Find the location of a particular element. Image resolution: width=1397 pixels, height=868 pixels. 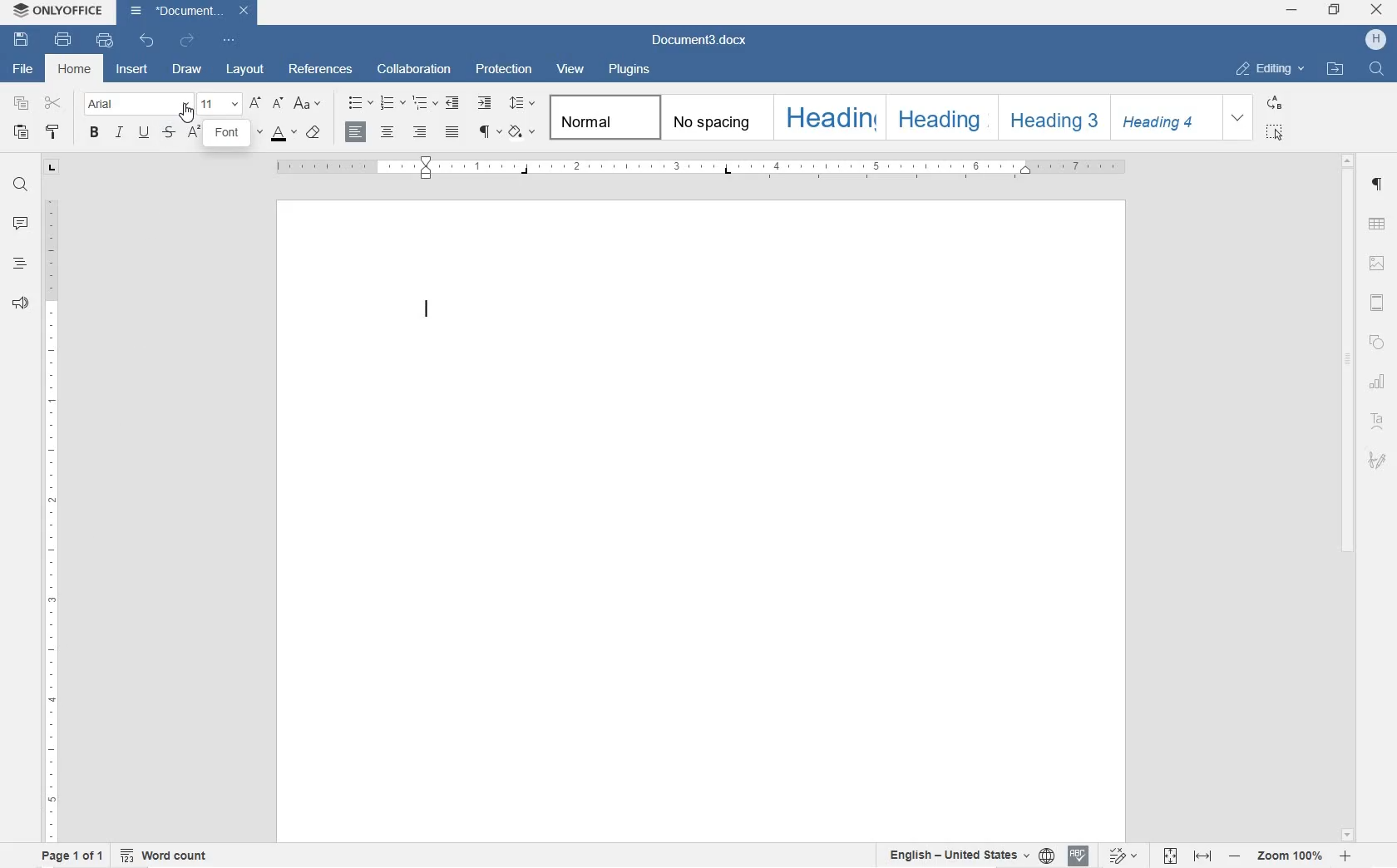

SELECT ALL is located at coordinates (1277, 133).